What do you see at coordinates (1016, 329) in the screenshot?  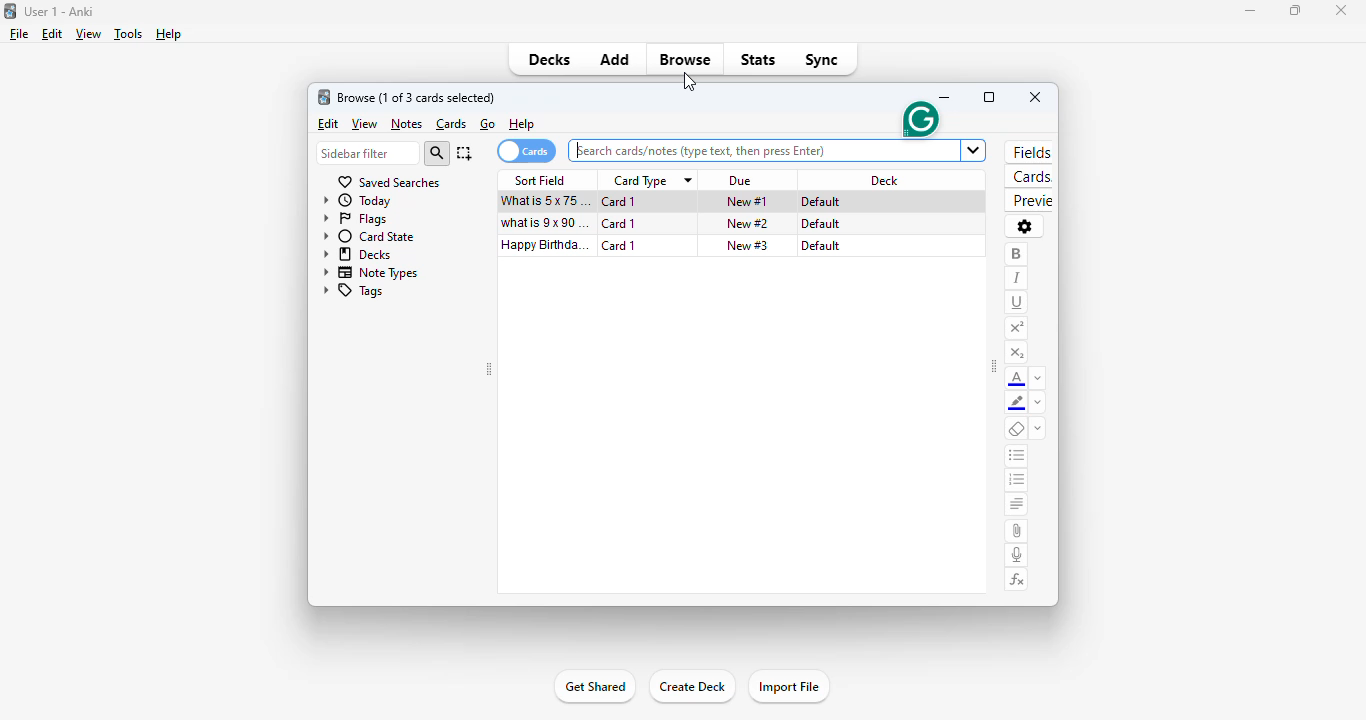 I see `superscript` at bounding box center [1016, 329].